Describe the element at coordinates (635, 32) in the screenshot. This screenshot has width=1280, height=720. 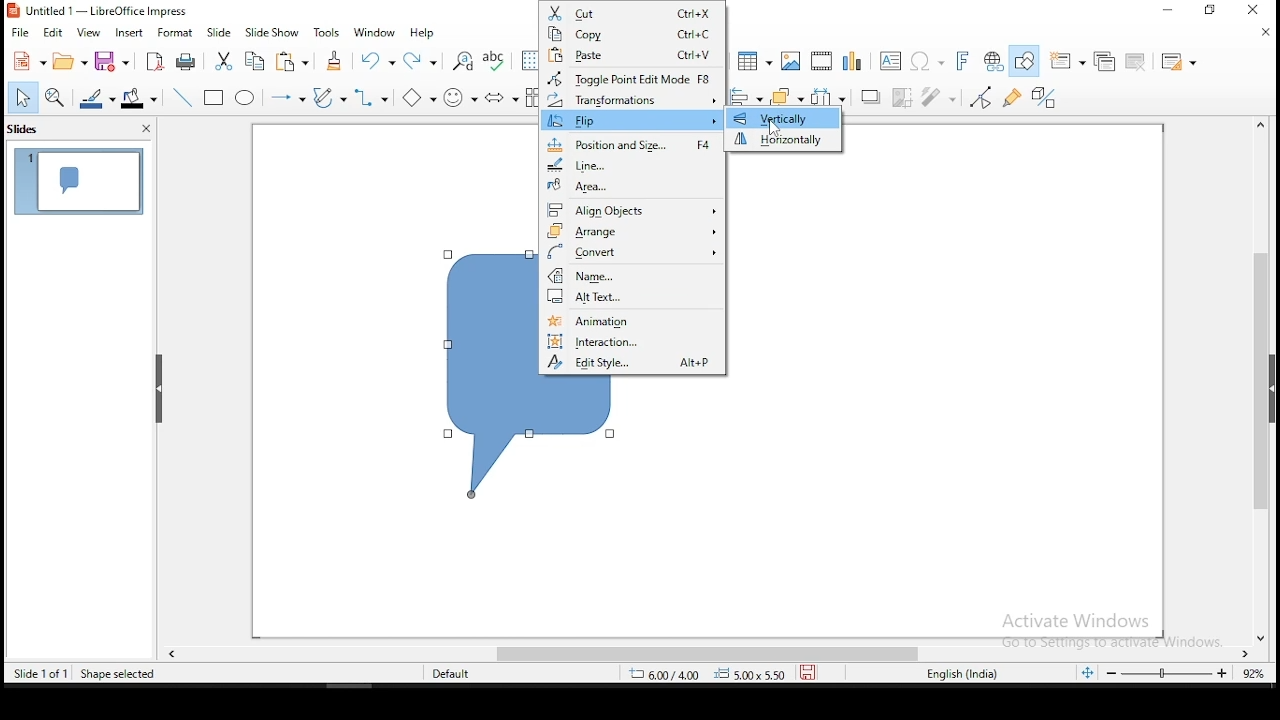
I see `copy` at that location.